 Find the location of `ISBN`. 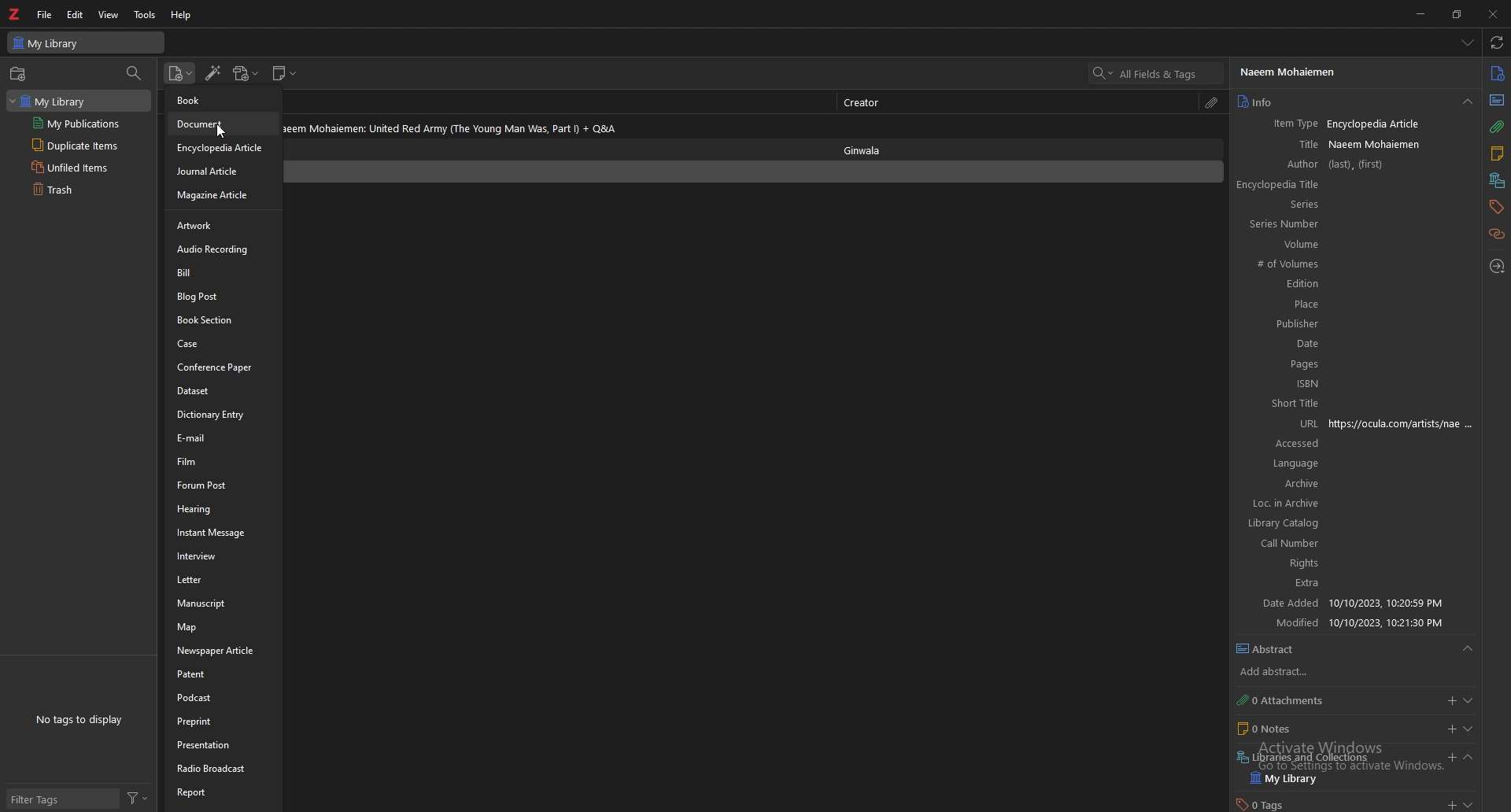

ISBN is located at coordinates (1278, 383).